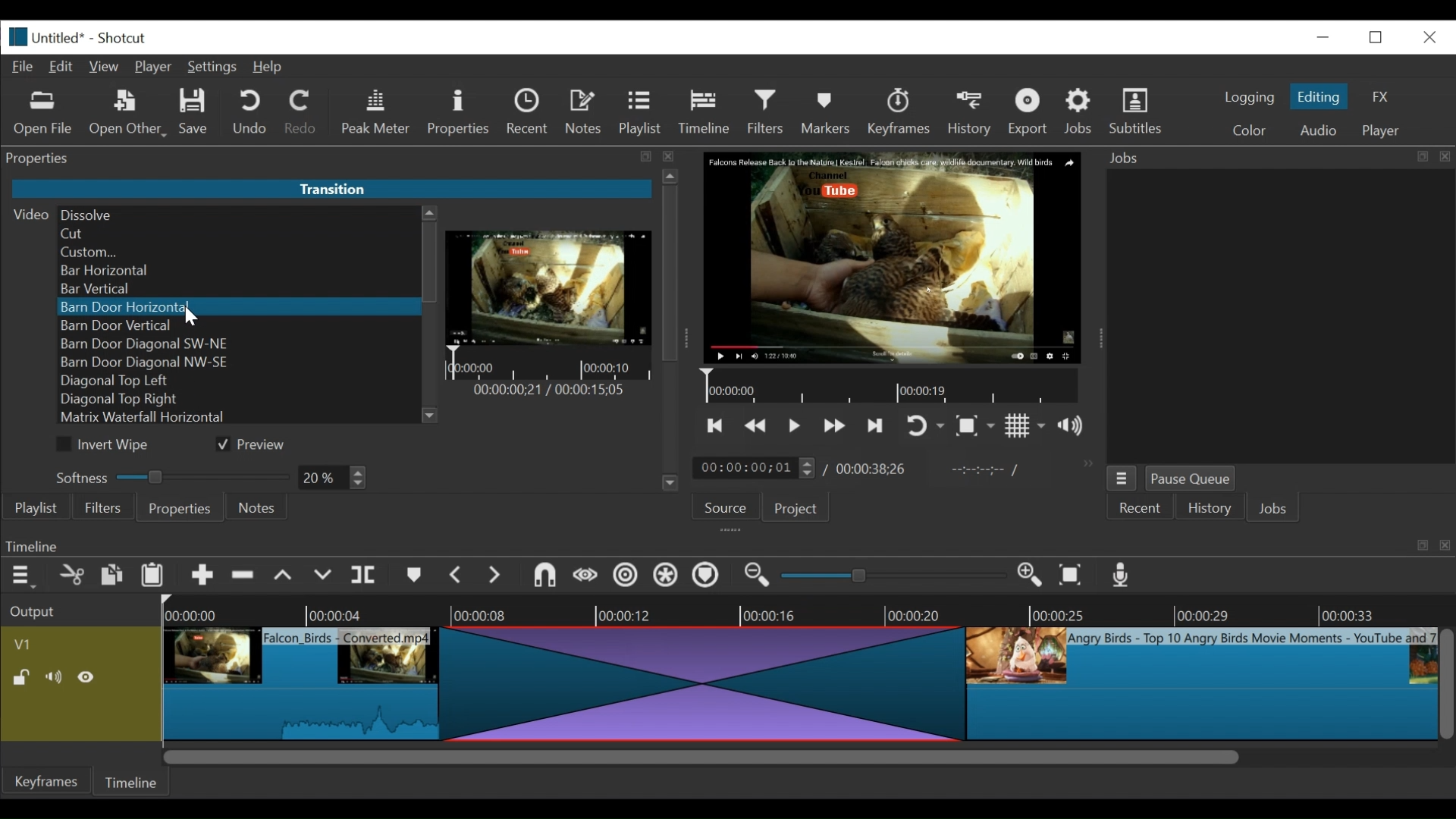  What do you see at coordinates (793, 510) in the screenshot?
I see `Project` at bounding box center [793, 510].